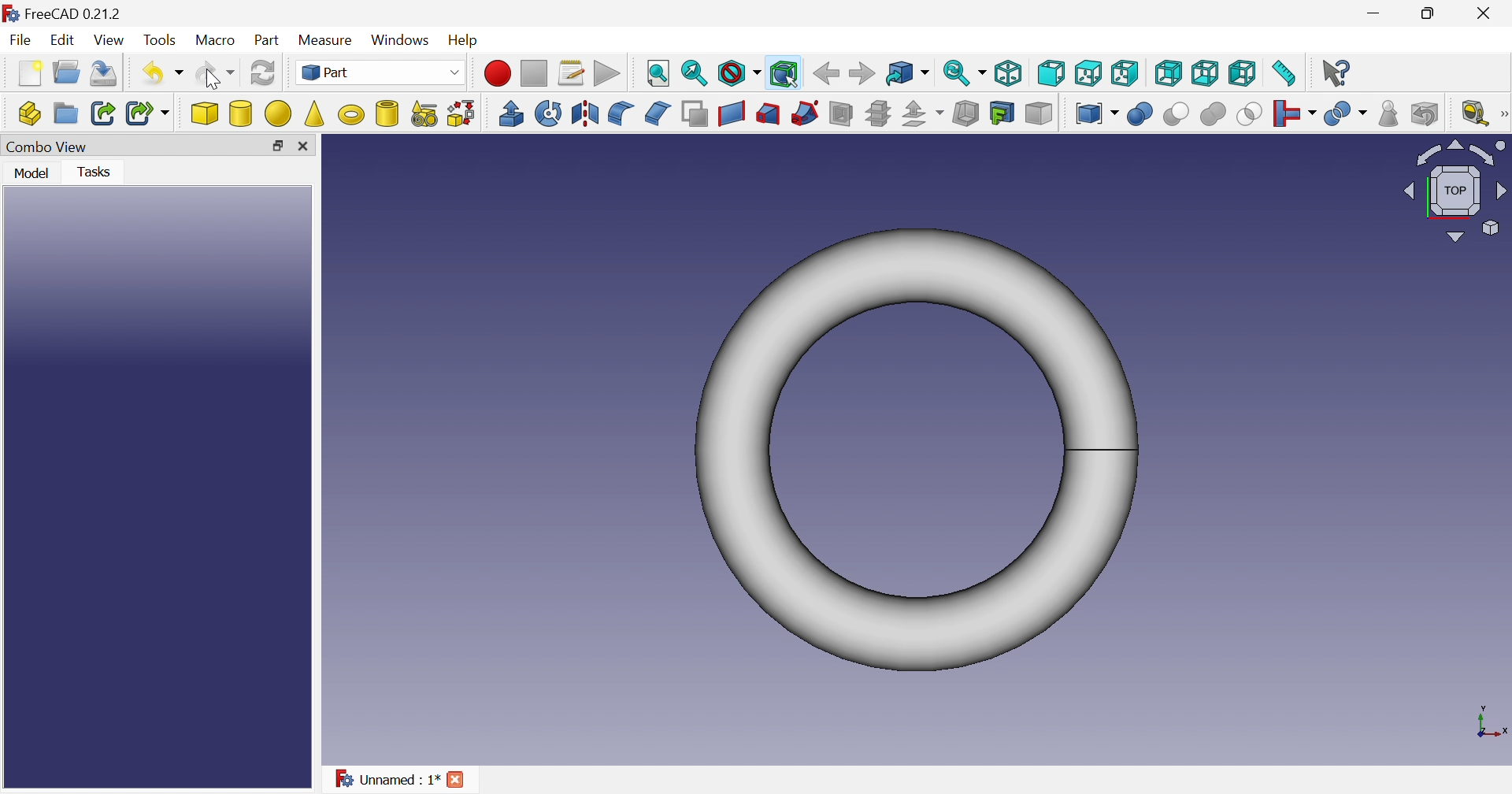 The image size is (1512, 794). I want to click on Cone, so click(313, 113).